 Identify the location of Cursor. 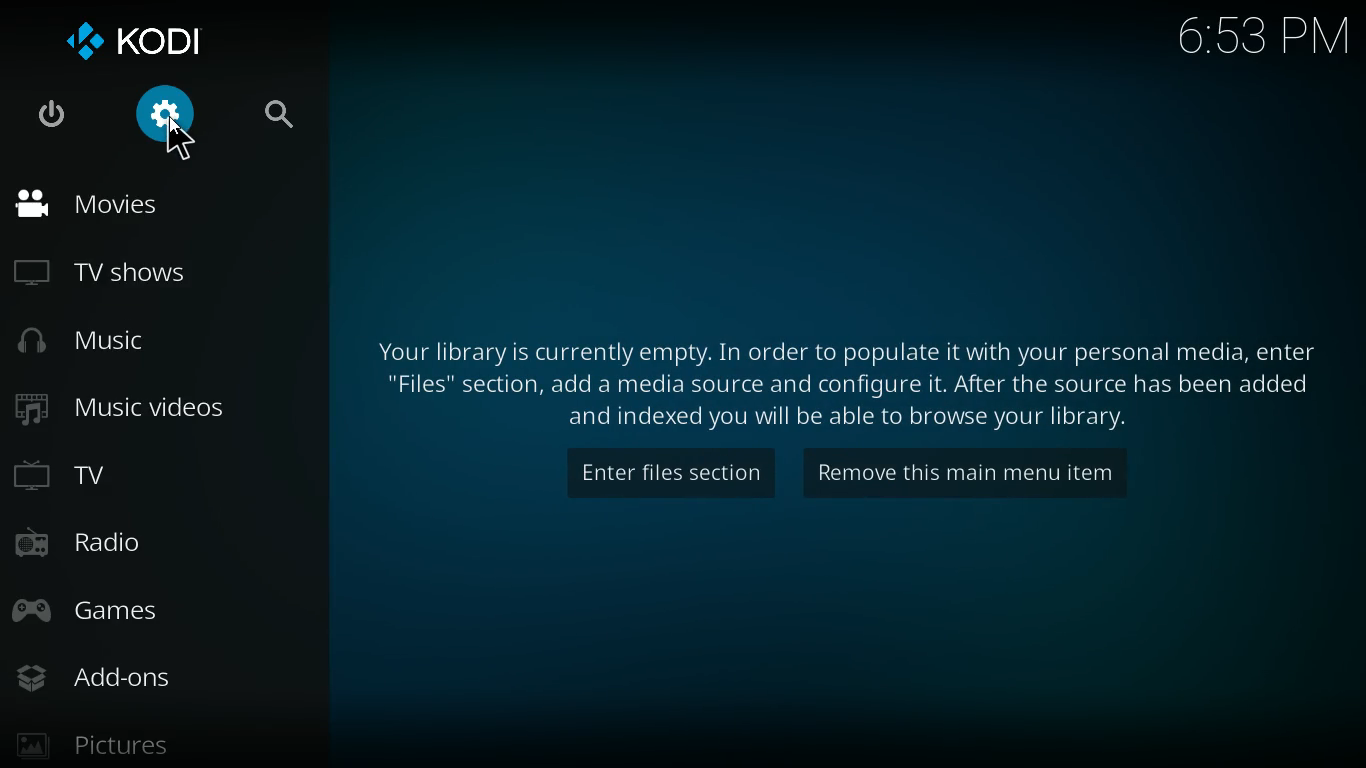
(182, 141).